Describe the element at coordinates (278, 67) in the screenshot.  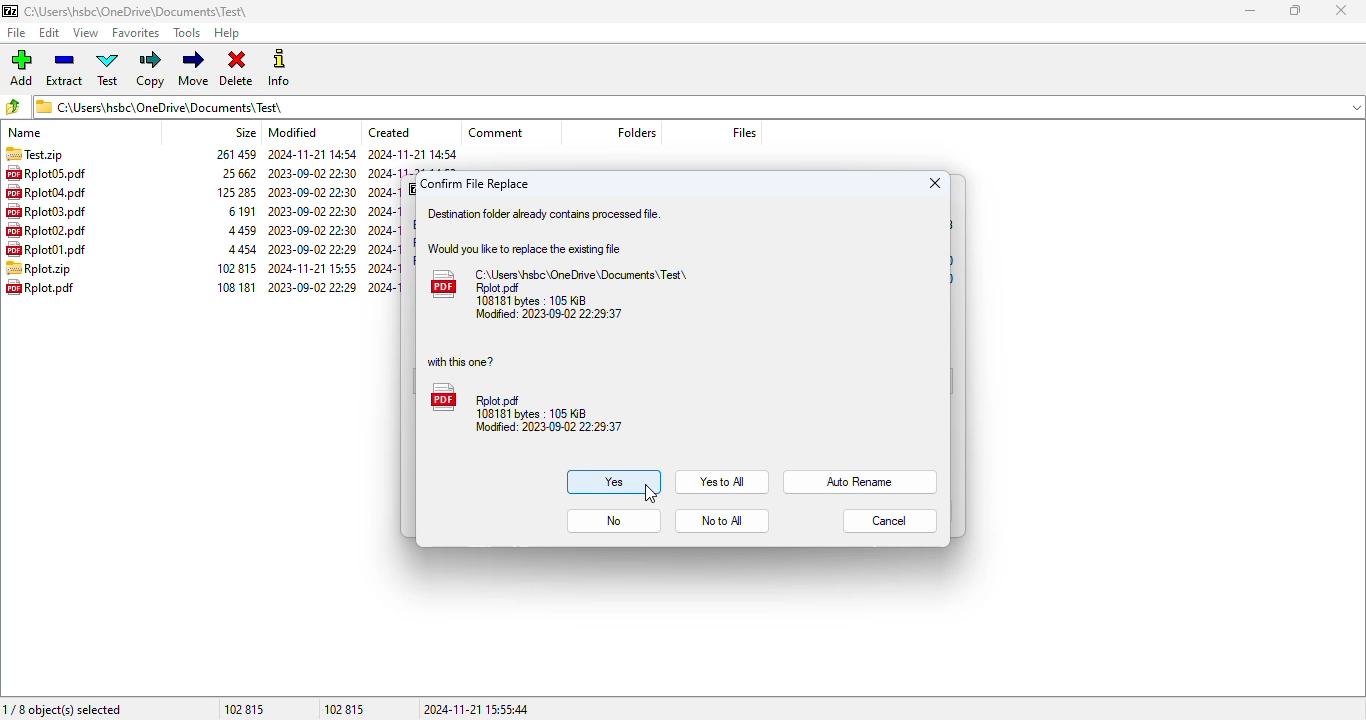
I see `info` at that location.